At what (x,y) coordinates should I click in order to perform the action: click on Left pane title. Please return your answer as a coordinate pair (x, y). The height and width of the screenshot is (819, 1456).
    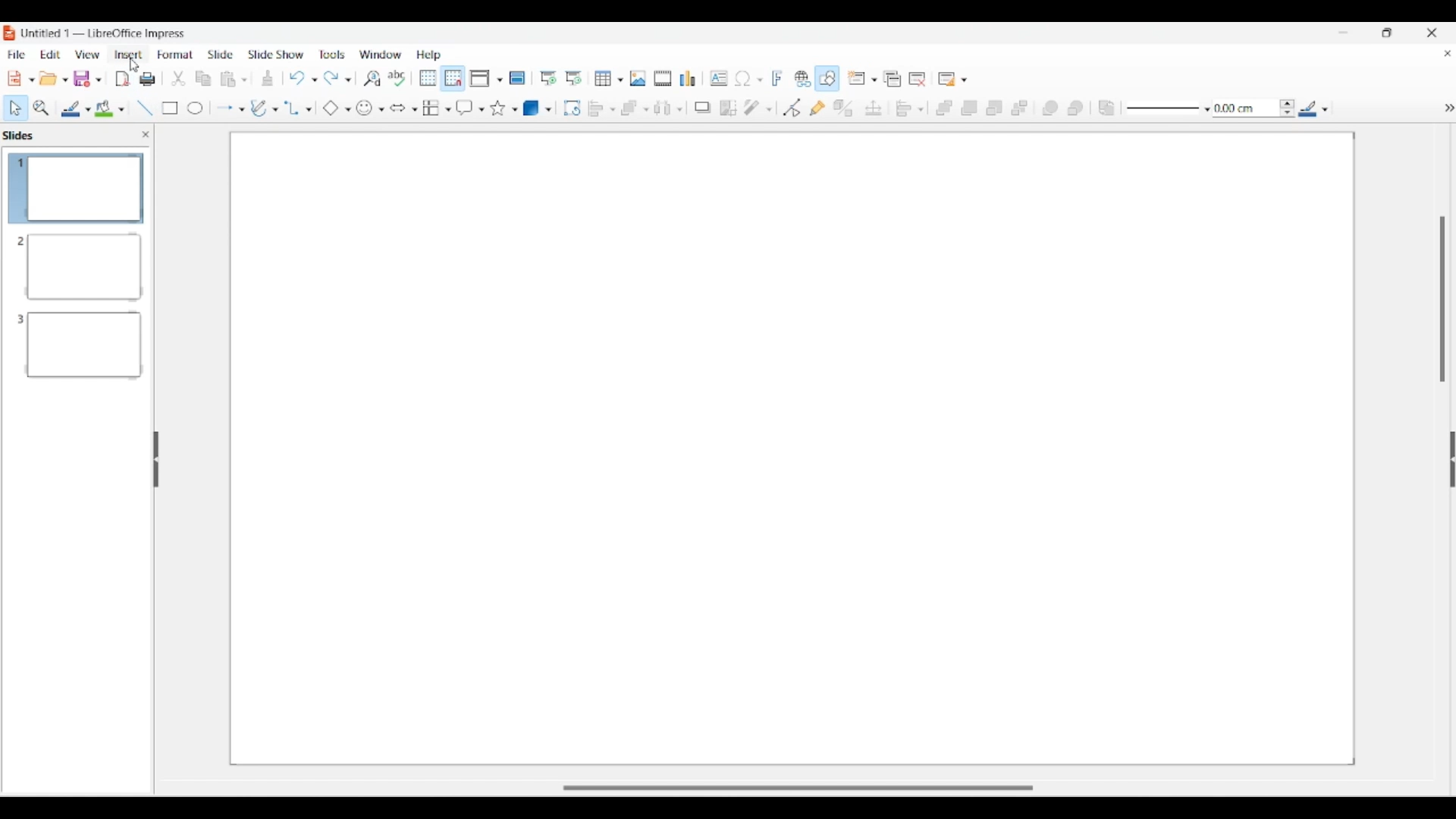
    Looking at the image, I should click on (22, 135).